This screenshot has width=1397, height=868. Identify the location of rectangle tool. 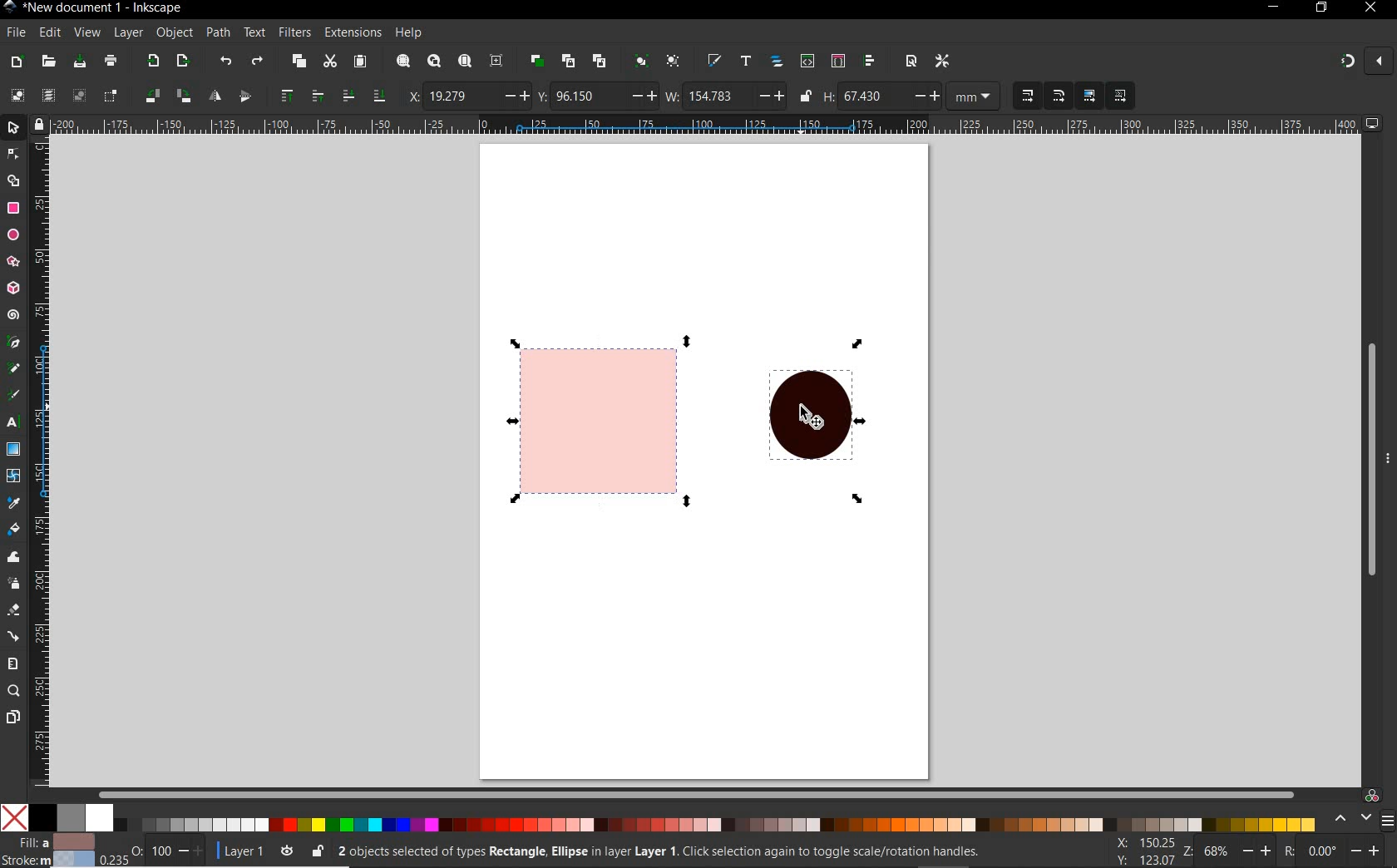
(12, 209).